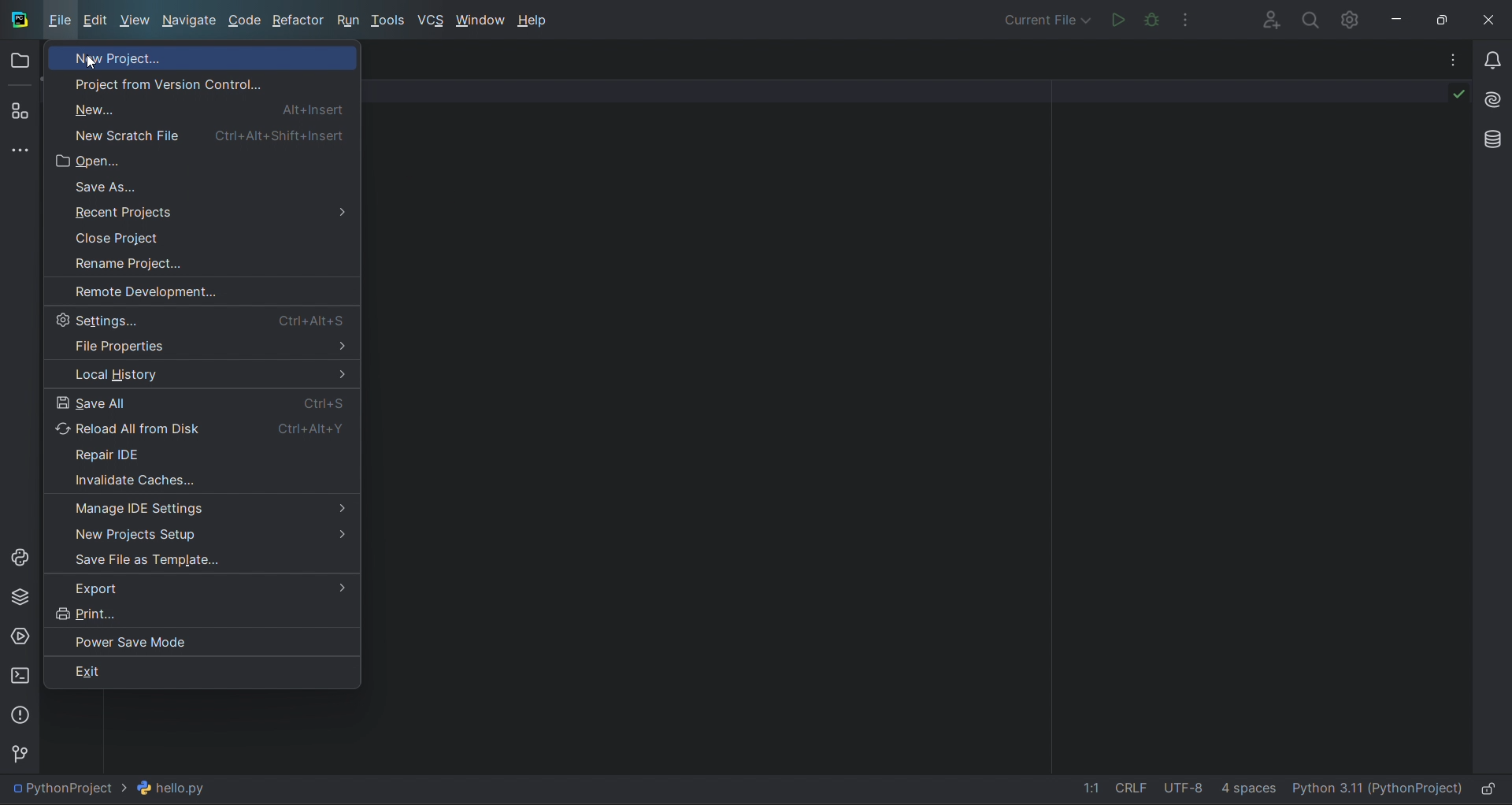 This screenshot has height=805, width=1512. What do you see at coordinates (202, 480) in the screenshot?
I see `cache` at bounding box center [202, 480].